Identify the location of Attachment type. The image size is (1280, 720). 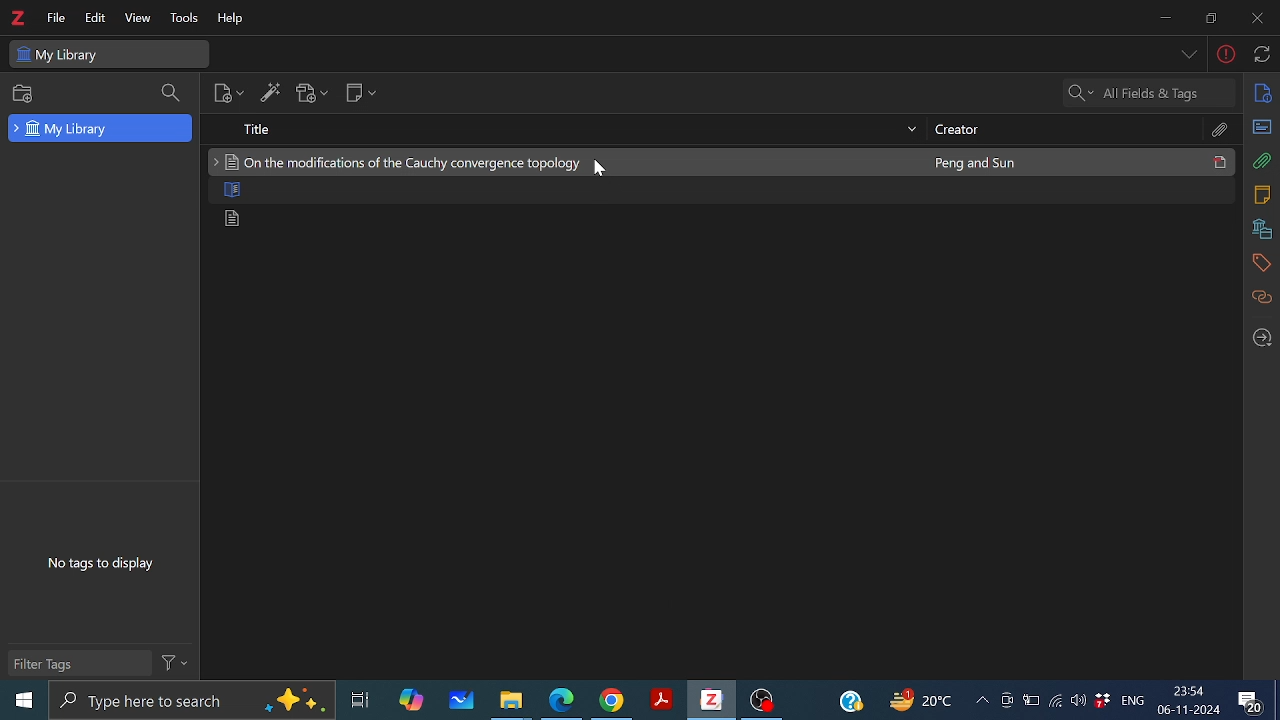
(1220, 131).